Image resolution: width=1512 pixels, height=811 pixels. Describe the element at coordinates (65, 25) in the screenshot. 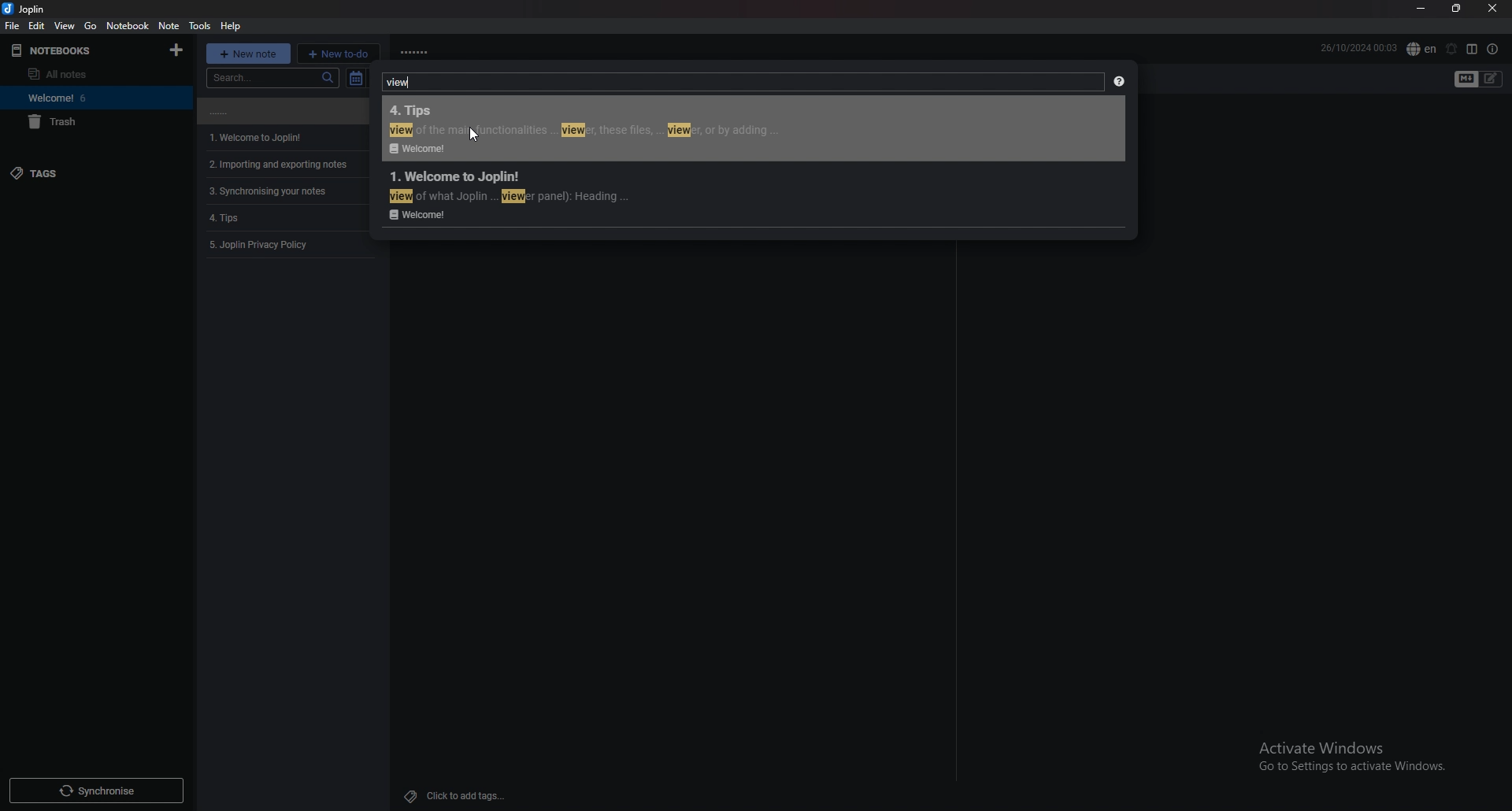

I see `view` at that location.